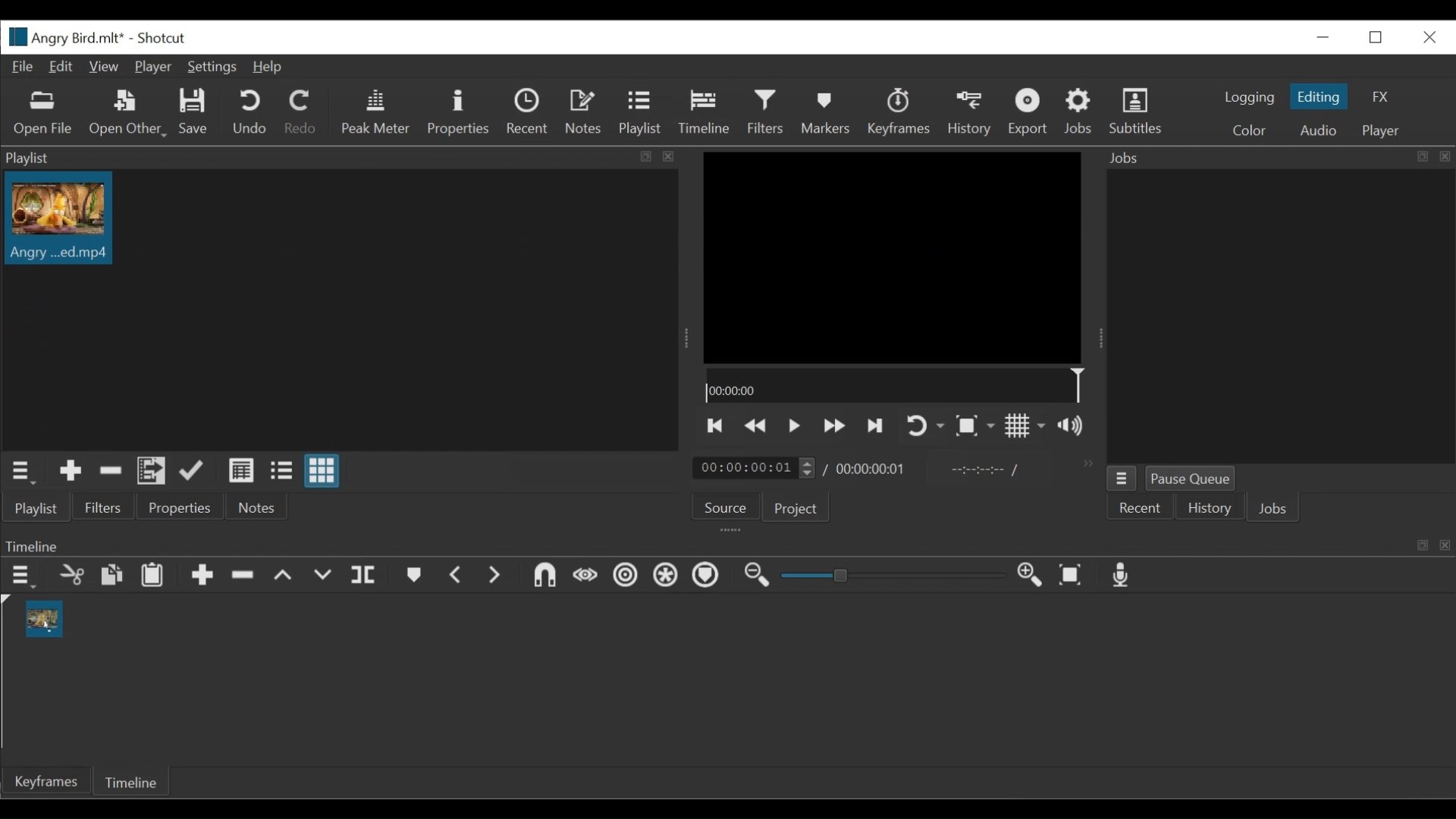 The width and height of the screenshot is (1456, 819). What do you see at coordinates (1250, 129) in the screenshot?
I see `Color` at bounding box center [1250, 129].